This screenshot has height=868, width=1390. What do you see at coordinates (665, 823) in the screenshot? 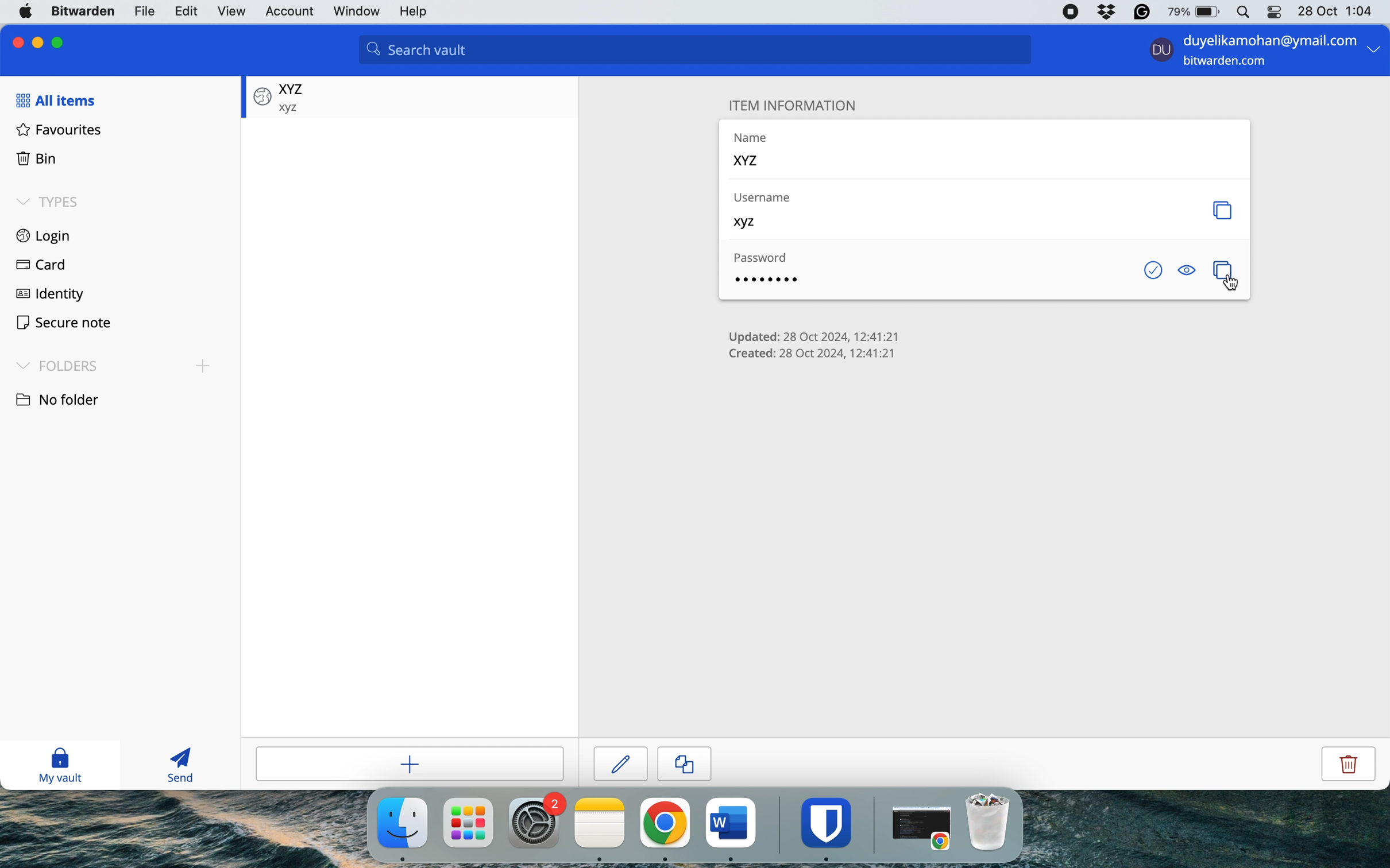
I see `chrome` at bounding box center [665, 823].